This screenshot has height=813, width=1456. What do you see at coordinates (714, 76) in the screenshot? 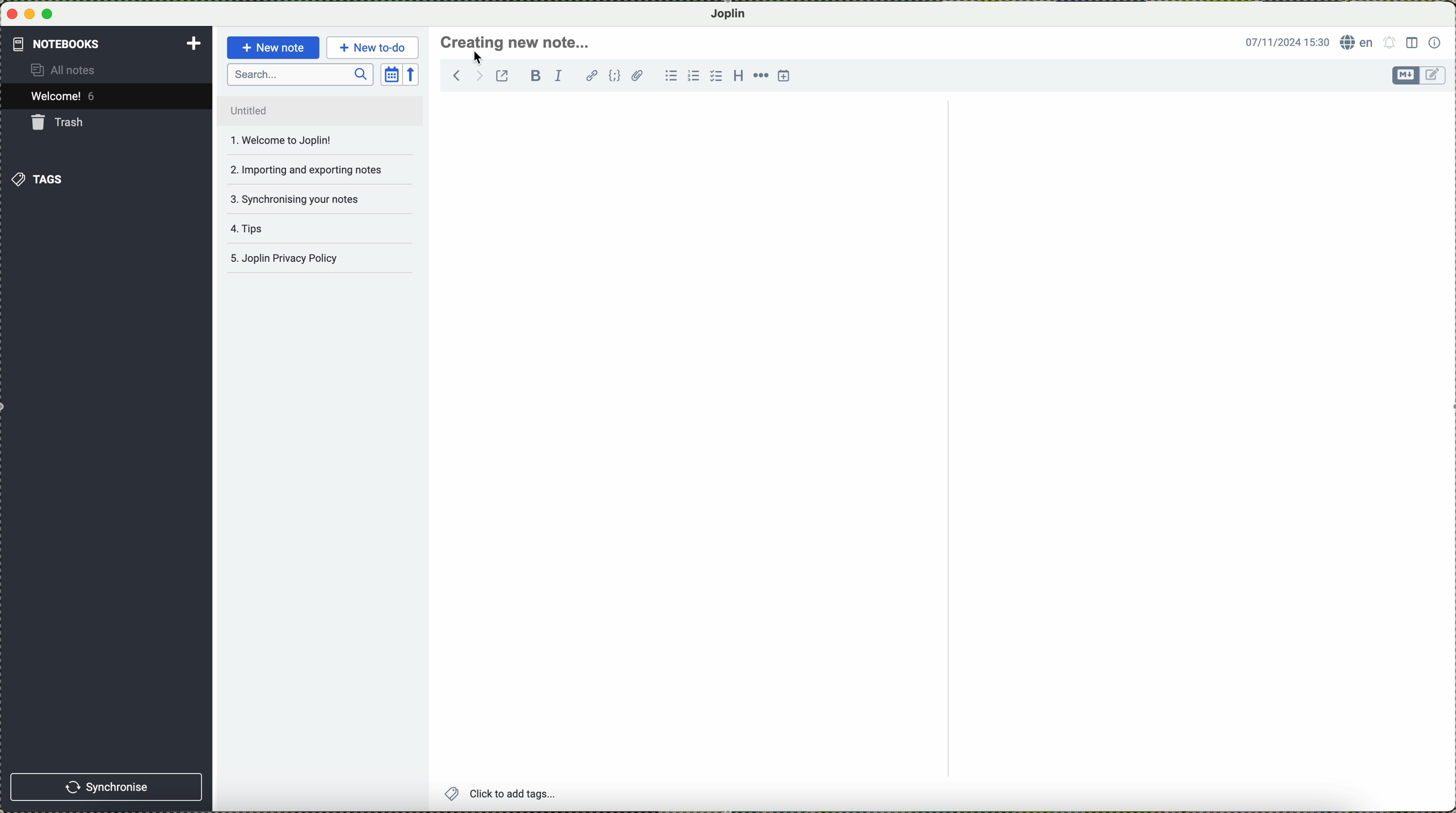
I see `checkbox` at bounding box center [714, 76].